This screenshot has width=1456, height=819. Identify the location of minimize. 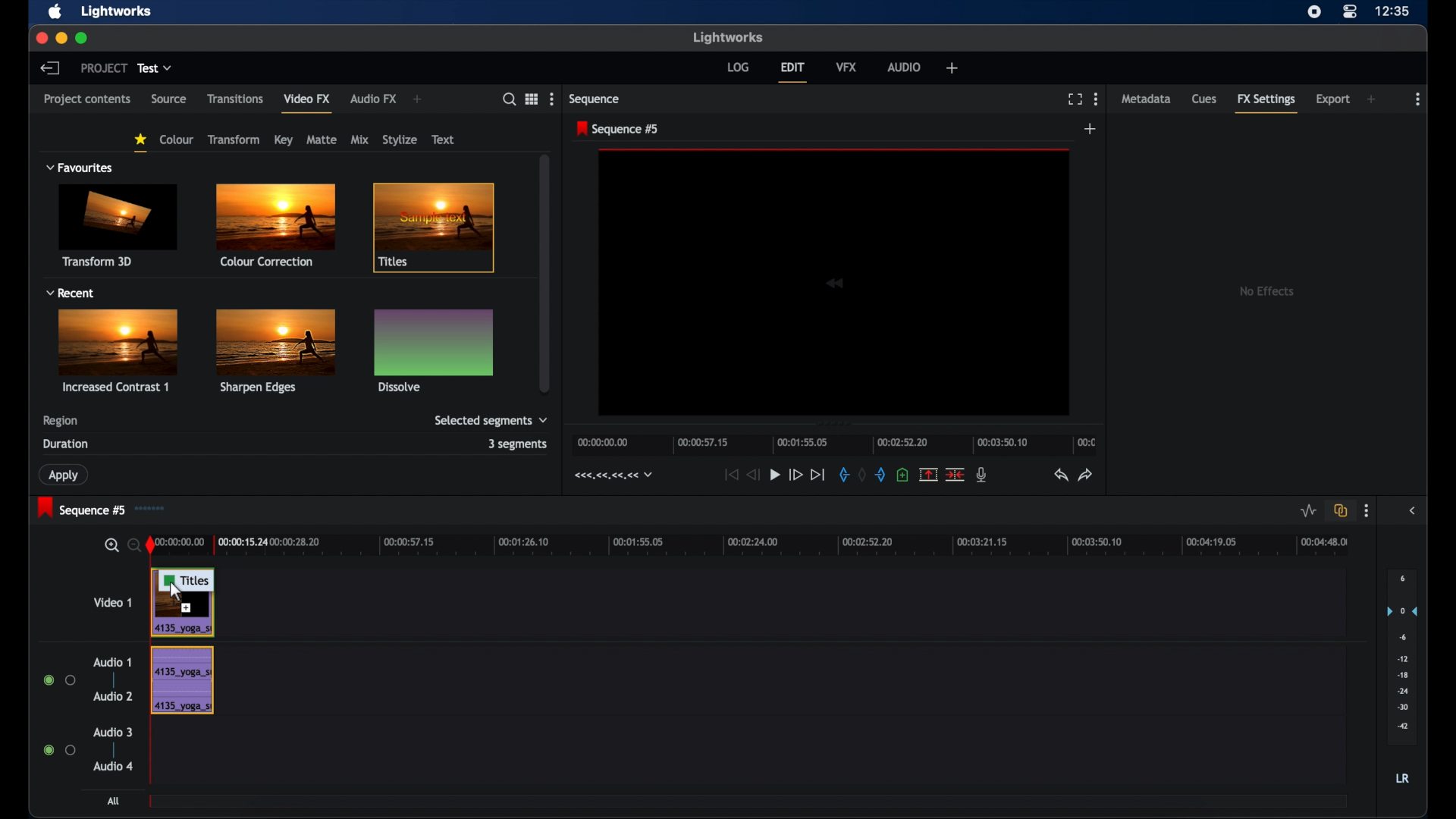
(61, 38).